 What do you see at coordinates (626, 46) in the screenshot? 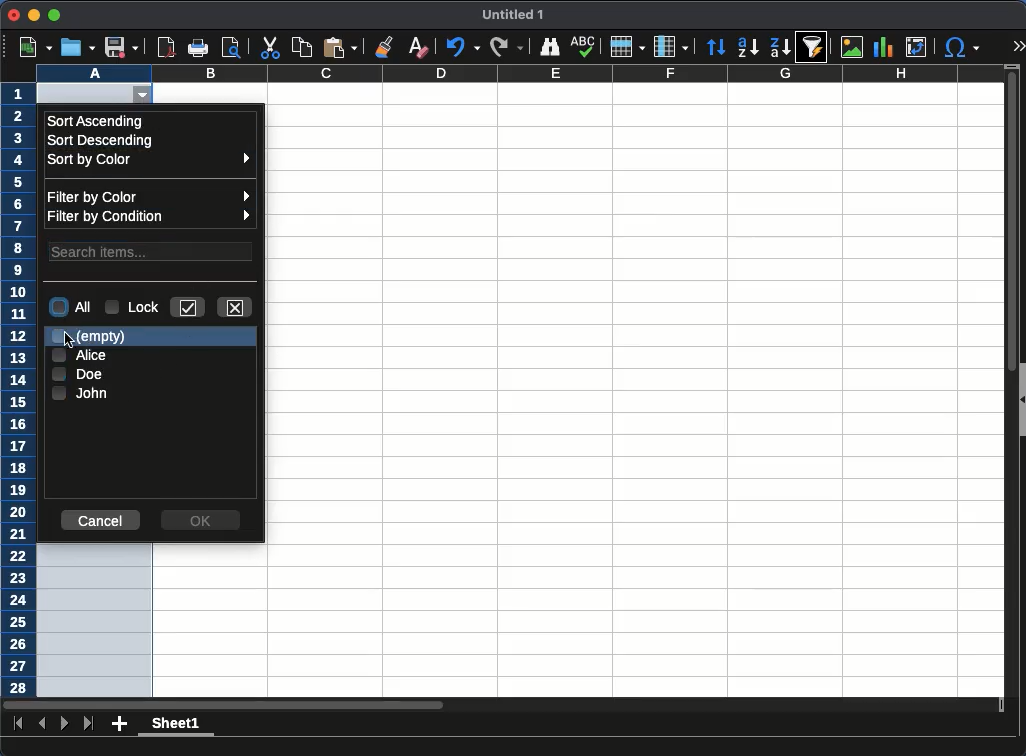
I see `row` at bounding box center [626, 46].